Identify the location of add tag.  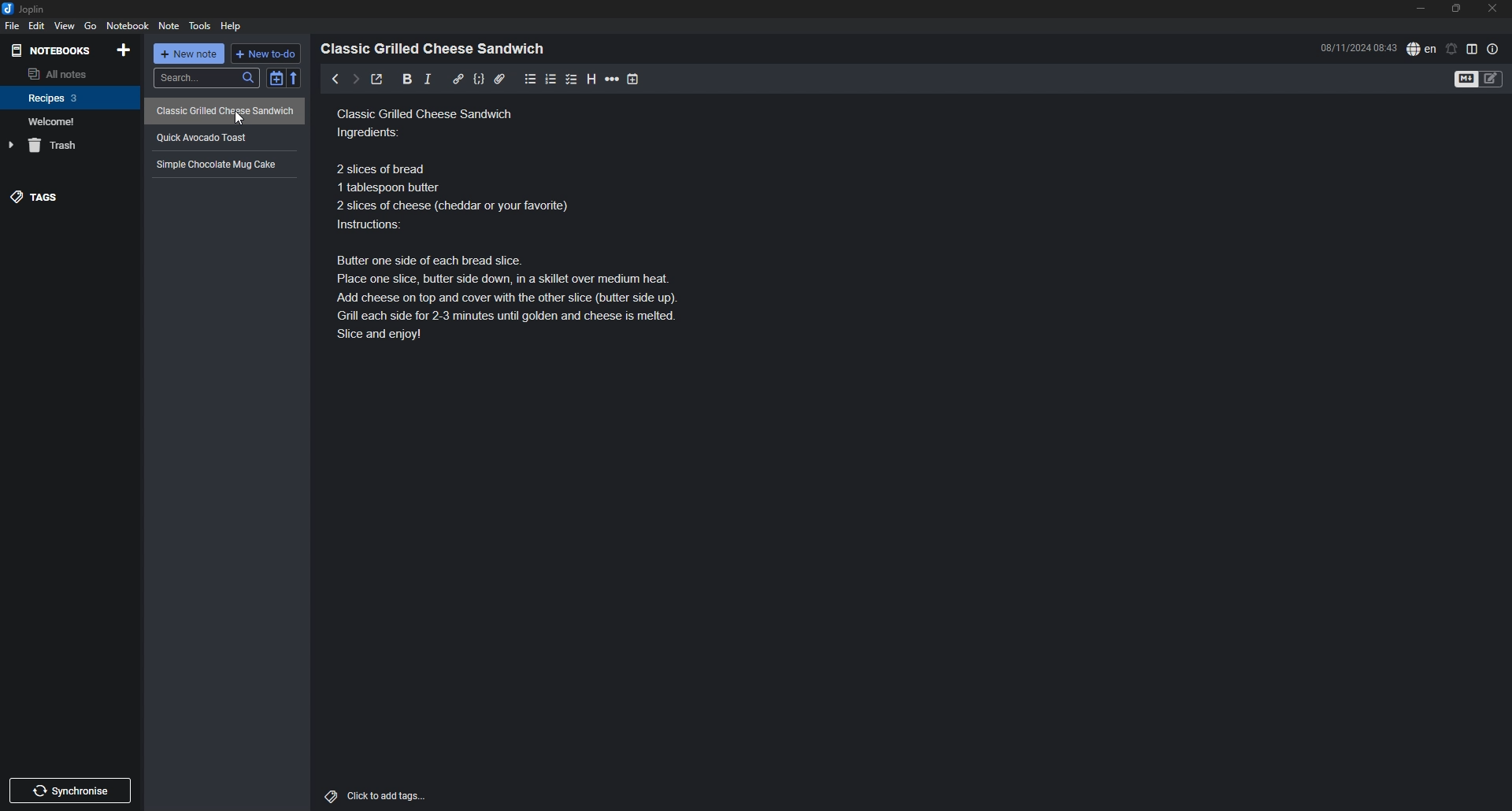
(376, 794).